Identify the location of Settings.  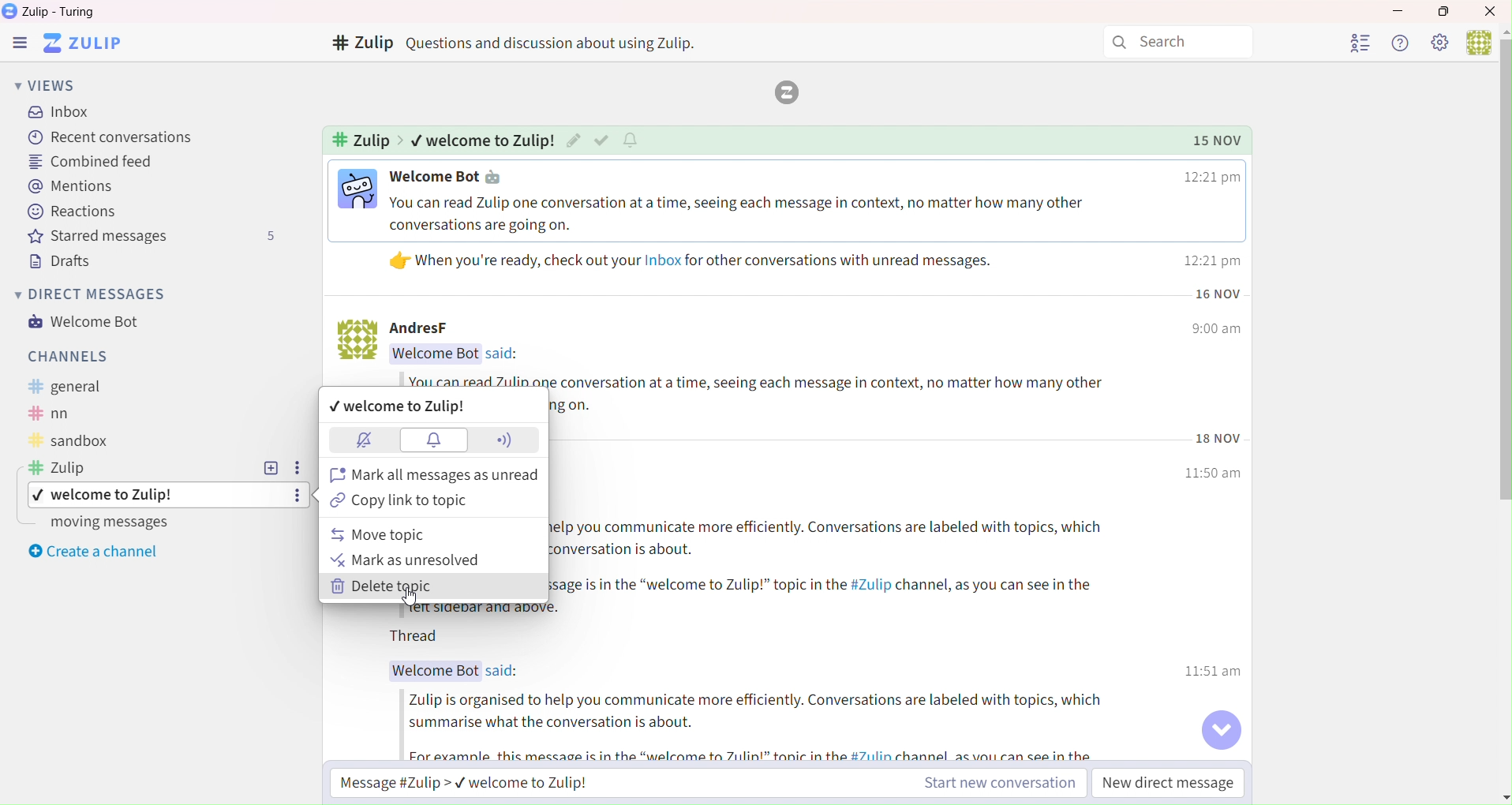
(299, 497).